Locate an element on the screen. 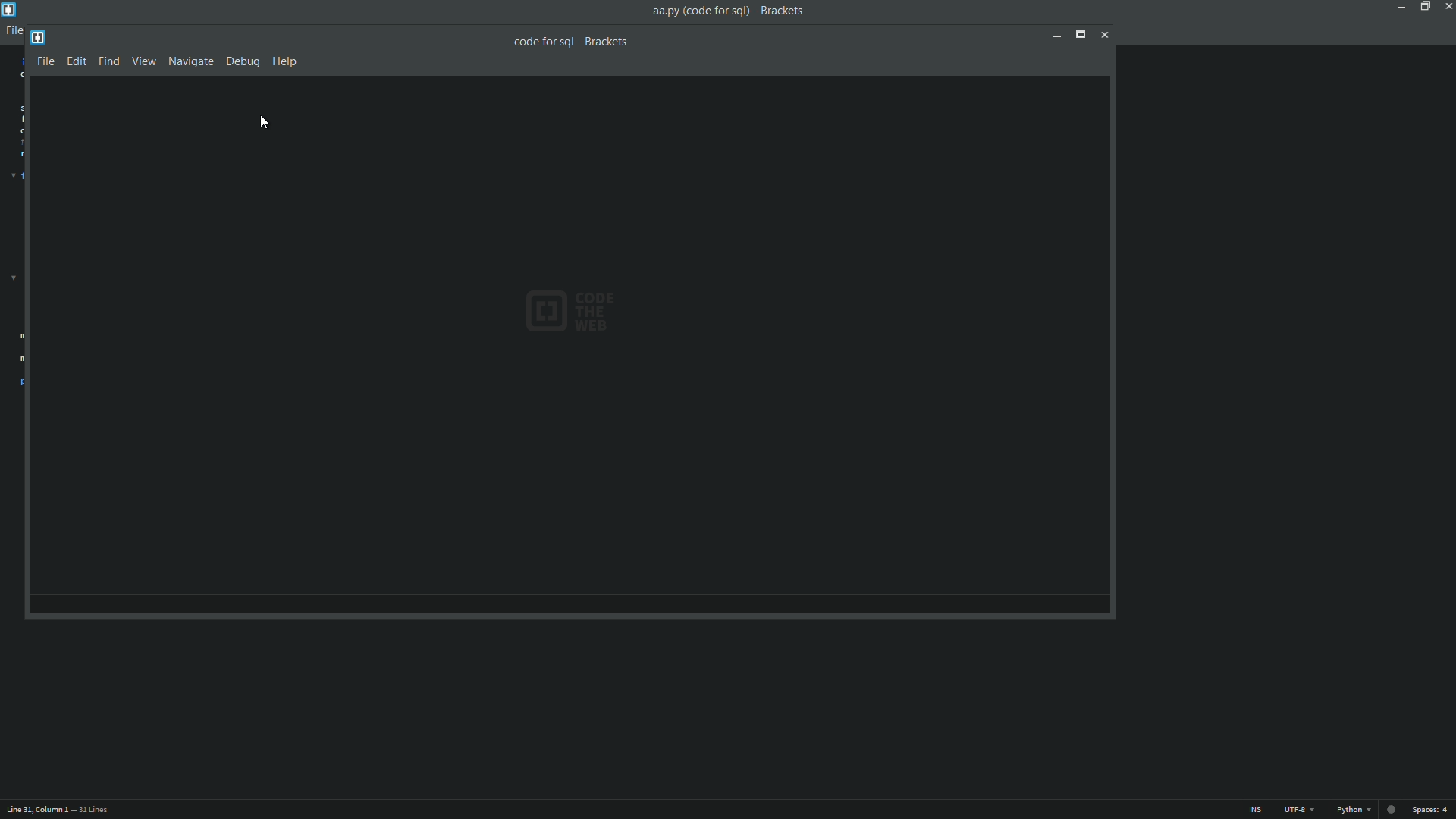  close app is located at coordinates (1447, 6).